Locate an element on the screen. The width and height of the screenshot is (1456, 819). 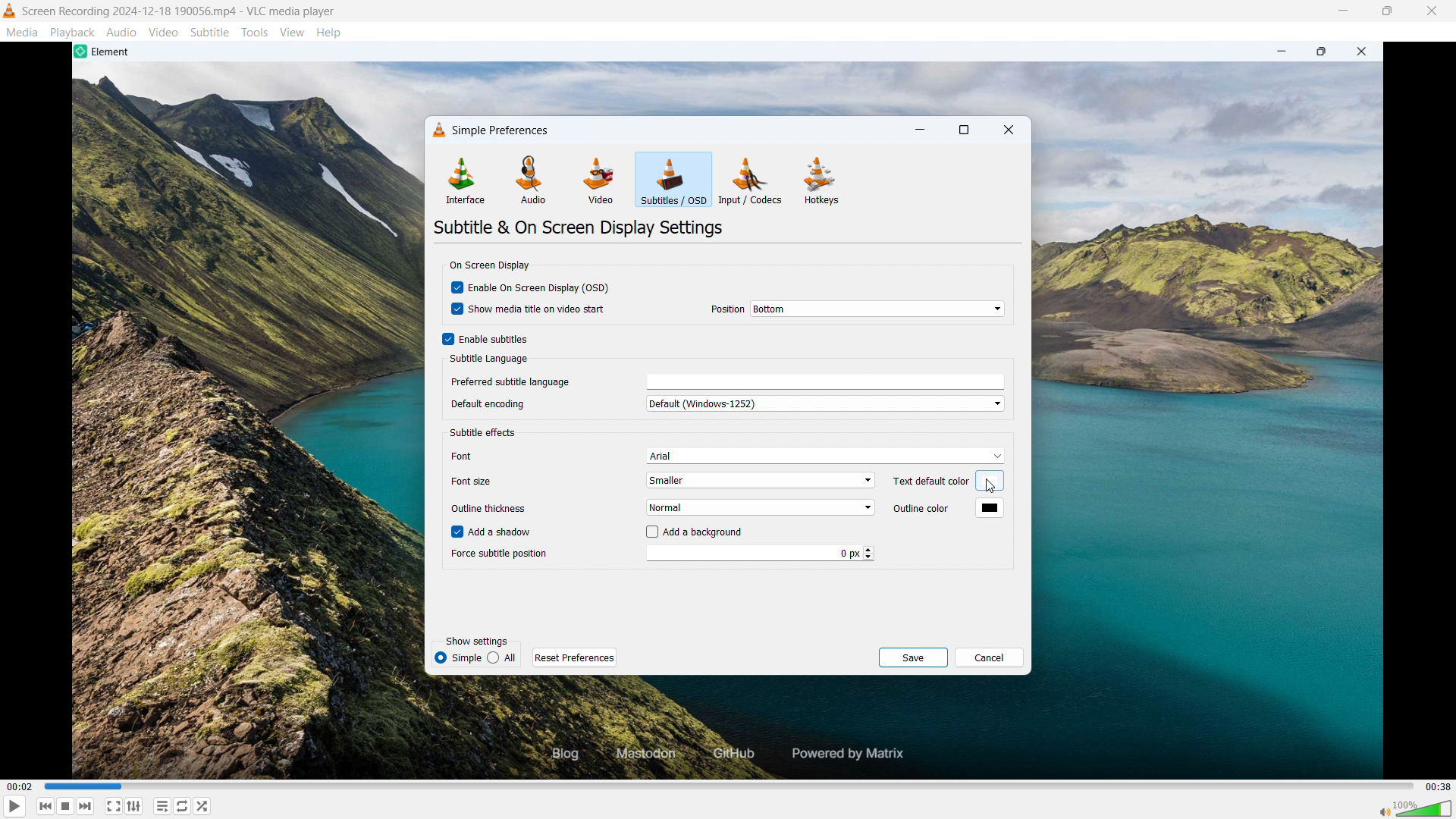
a 1 Default encoding is located at coordinates (495, 406).